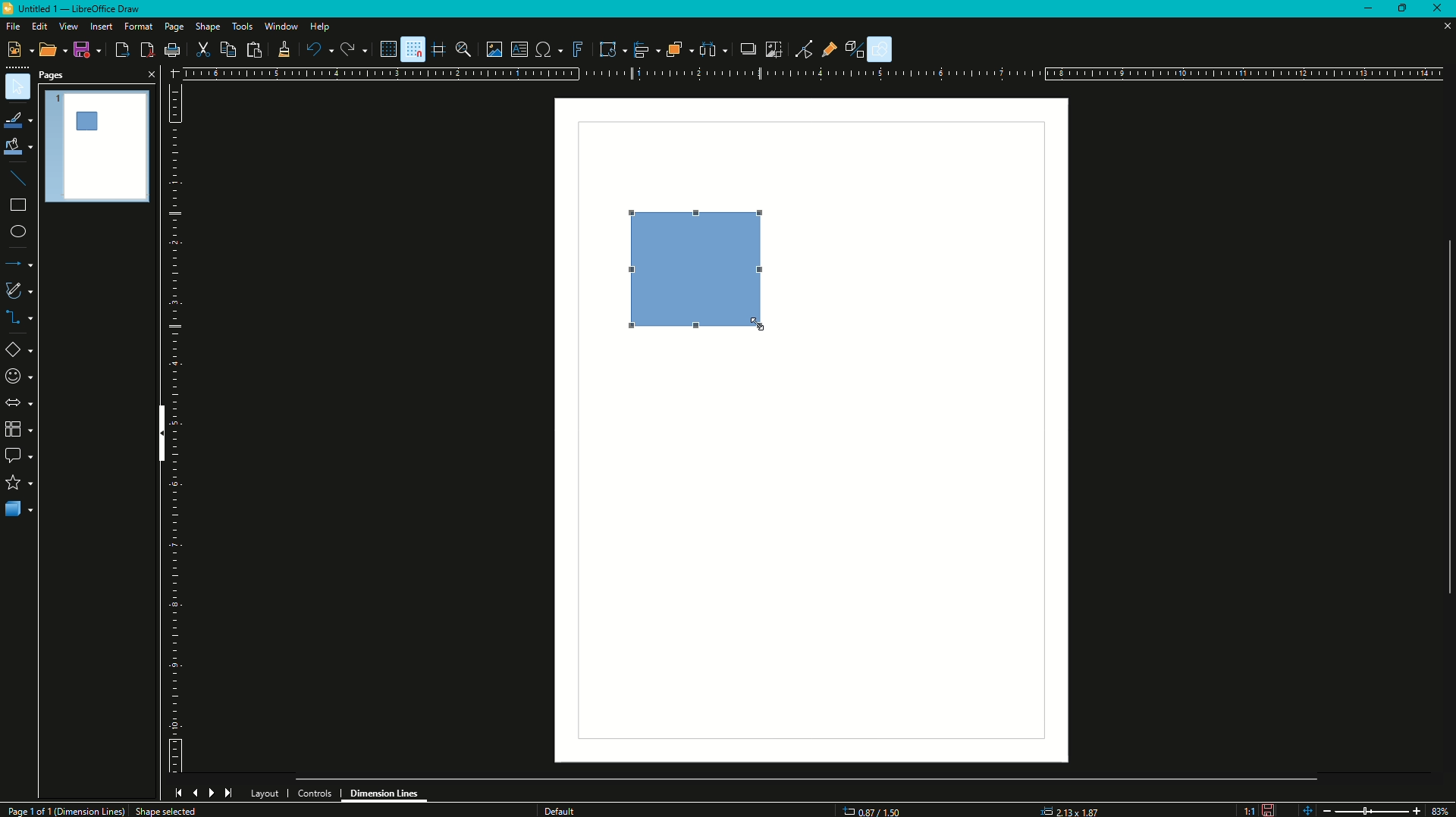  What do you see at coordinates (67, 27) in the screenshot?
I see `View` at bounding box center [67, 27].